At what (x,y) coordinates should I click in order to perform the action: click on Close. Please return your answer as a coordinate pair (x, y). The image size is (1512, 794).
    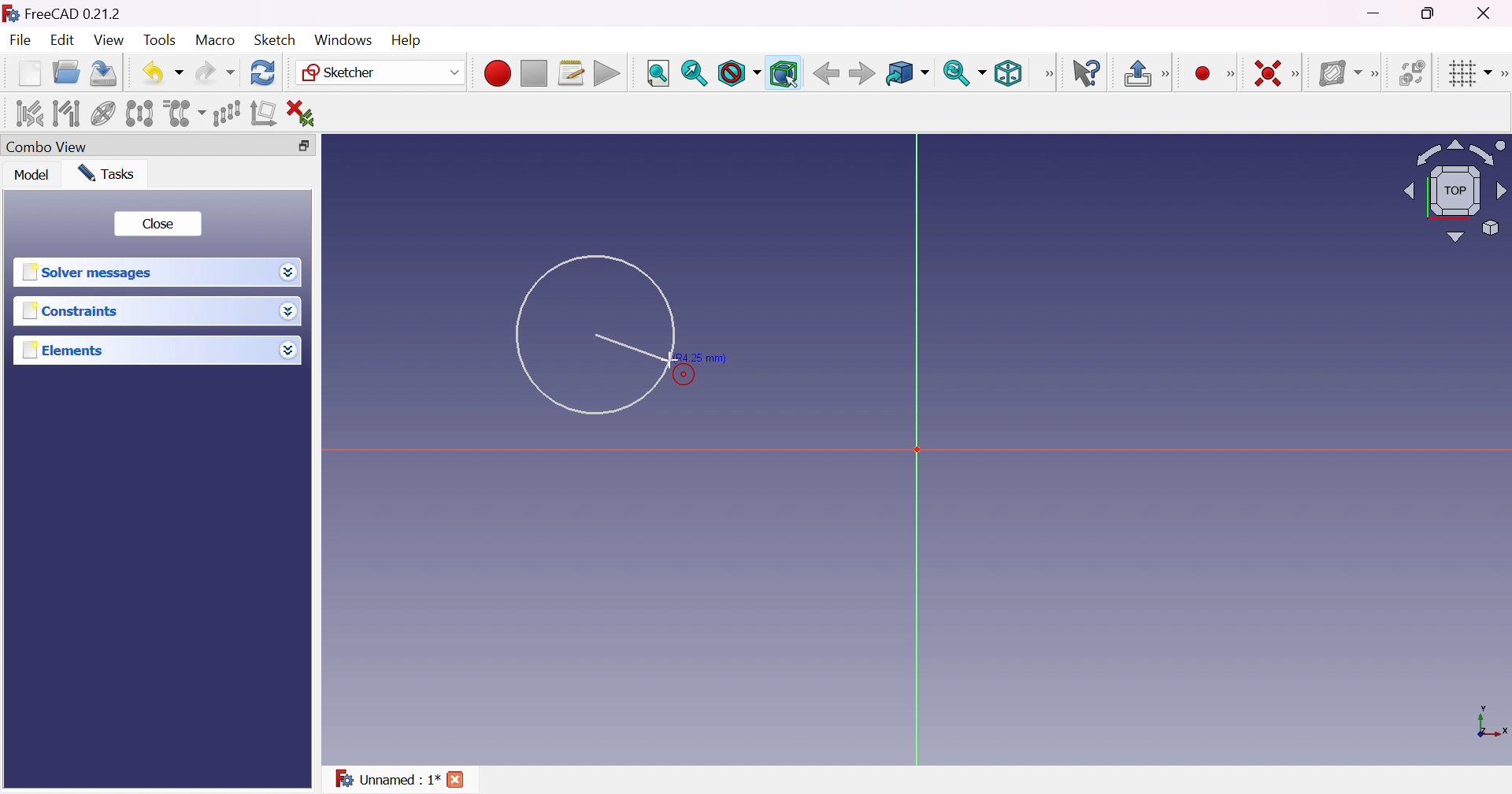
    Looking at the image, I should click on (159, 222).